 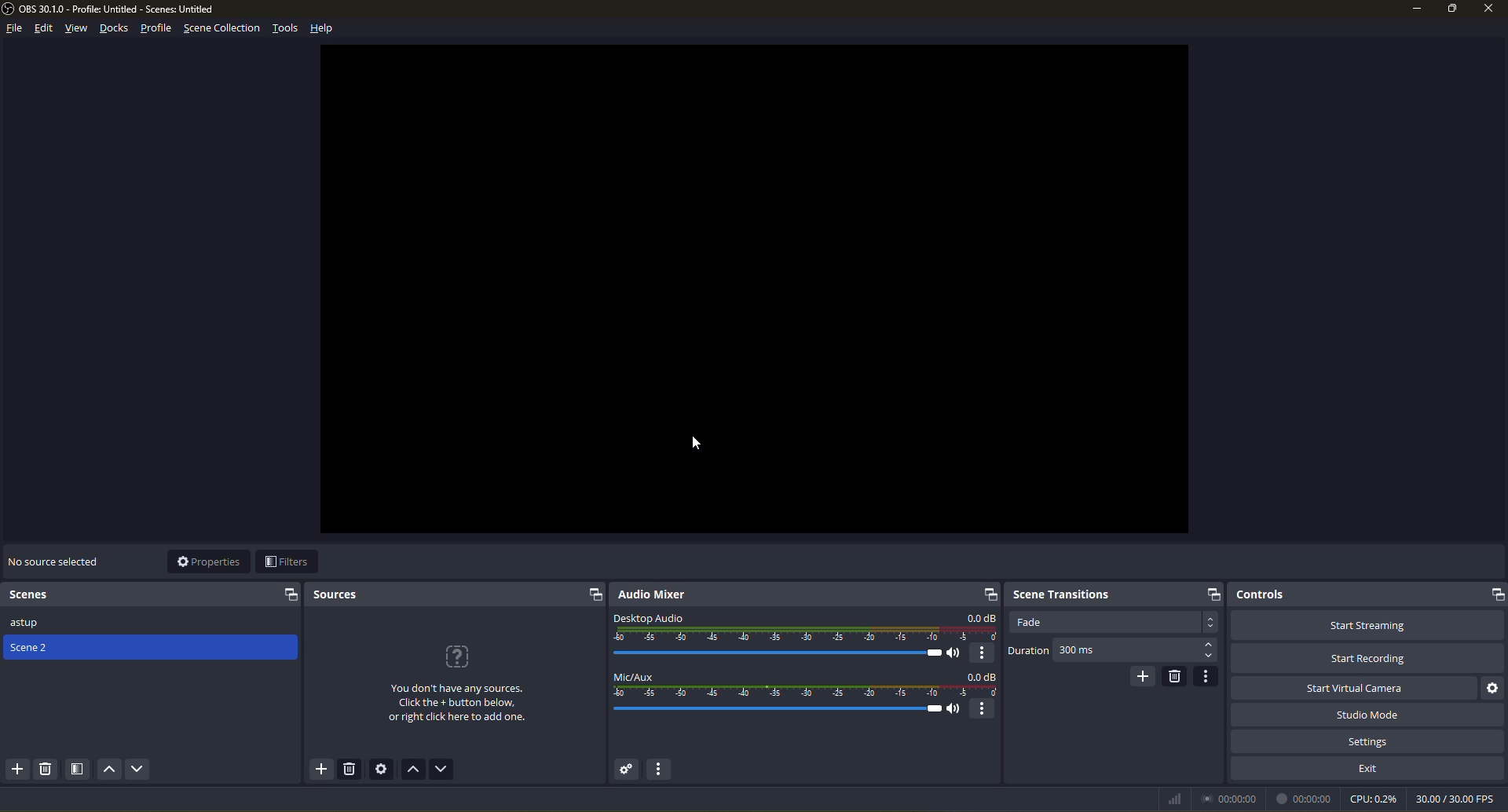 What do you see at coordinates (459, 703) in the screenshot?
I see `You don't have any sources.Click the + button below,or right click here to add one.` at bounding box center [459, 703].